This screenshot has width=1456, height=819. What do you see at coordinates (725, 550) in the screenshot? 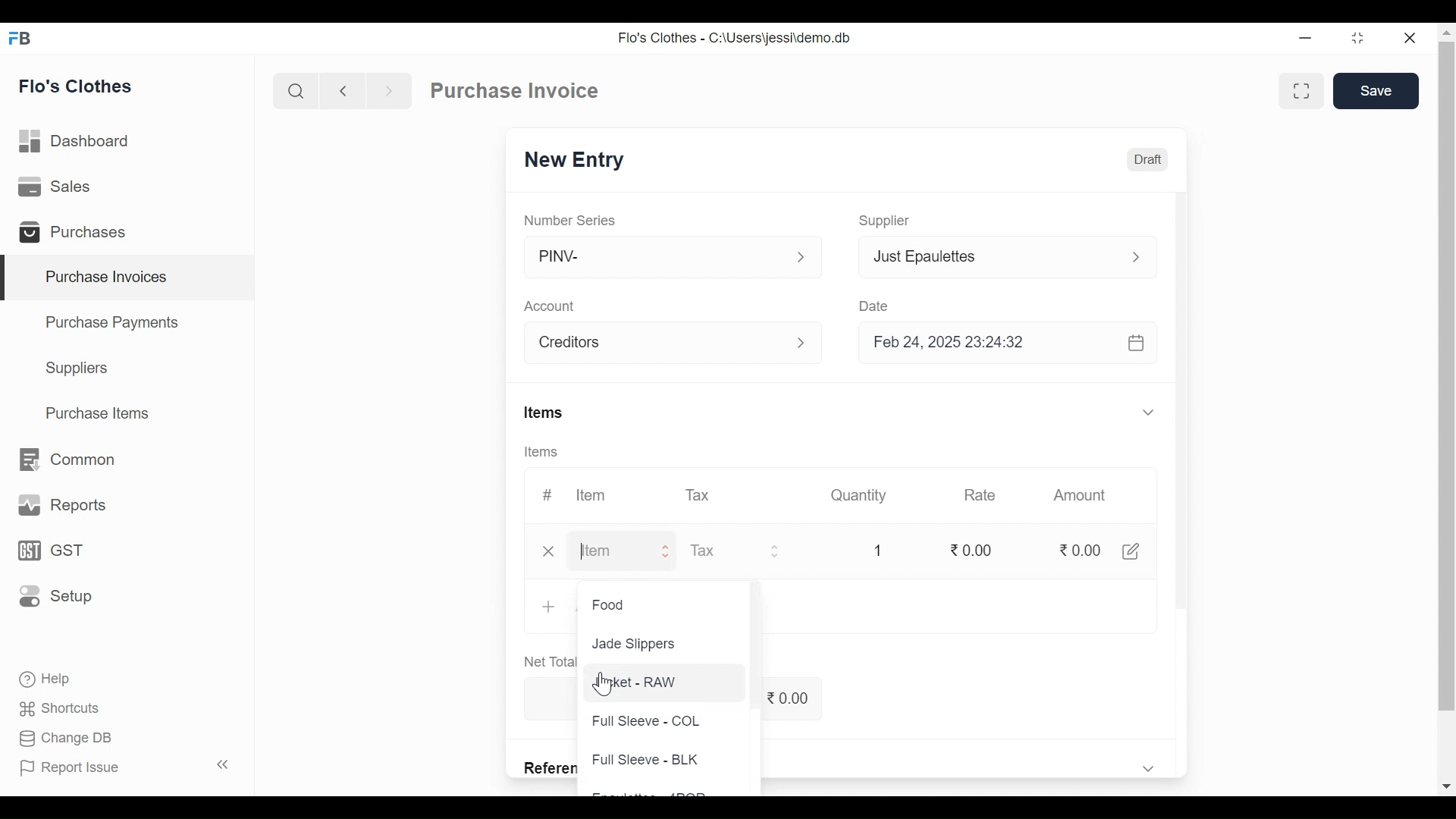
I see `Tax` at bounding box center [725, 550].